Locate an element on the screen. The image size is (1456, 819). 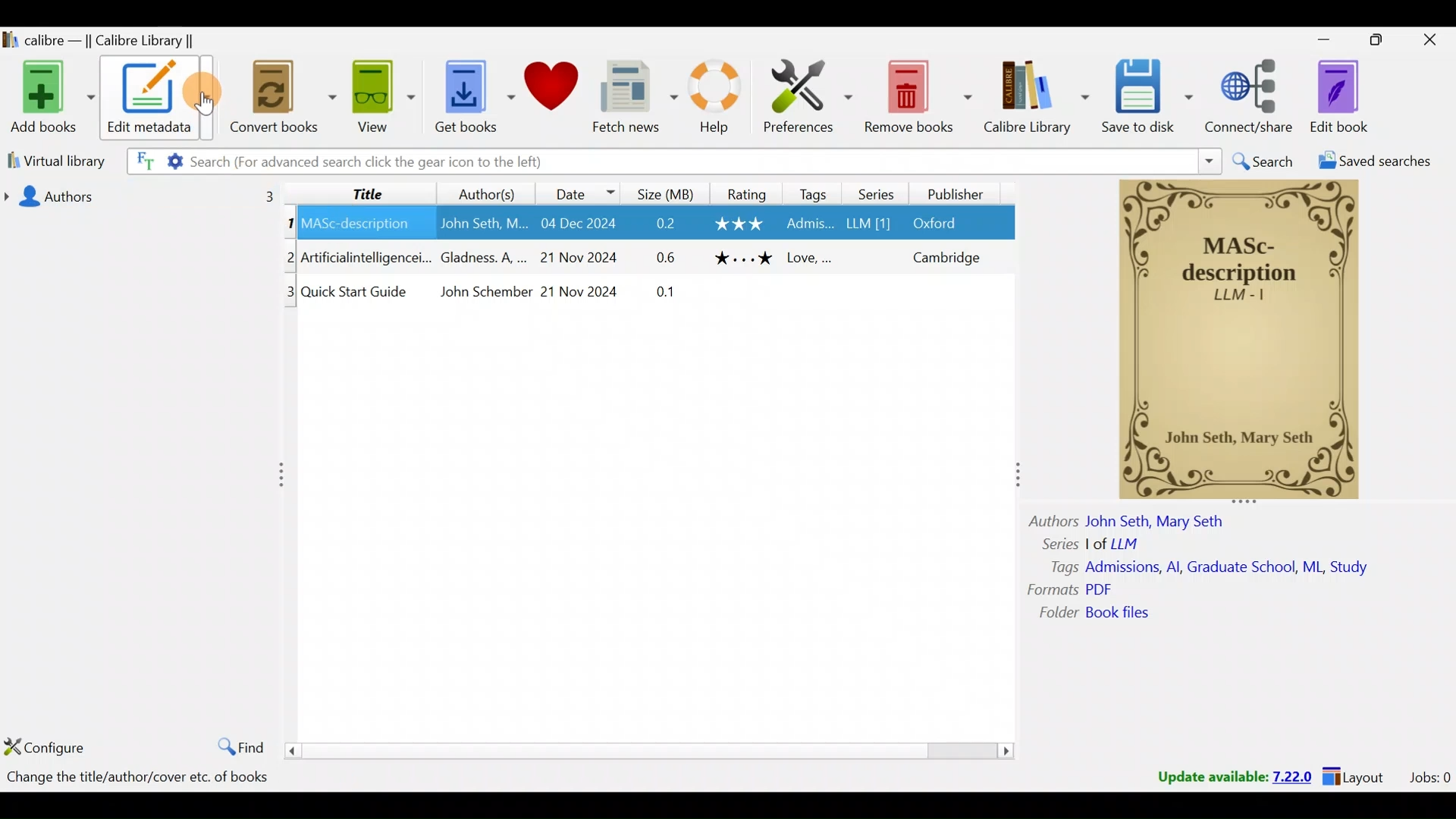
 is located at coordinates (289, 258).